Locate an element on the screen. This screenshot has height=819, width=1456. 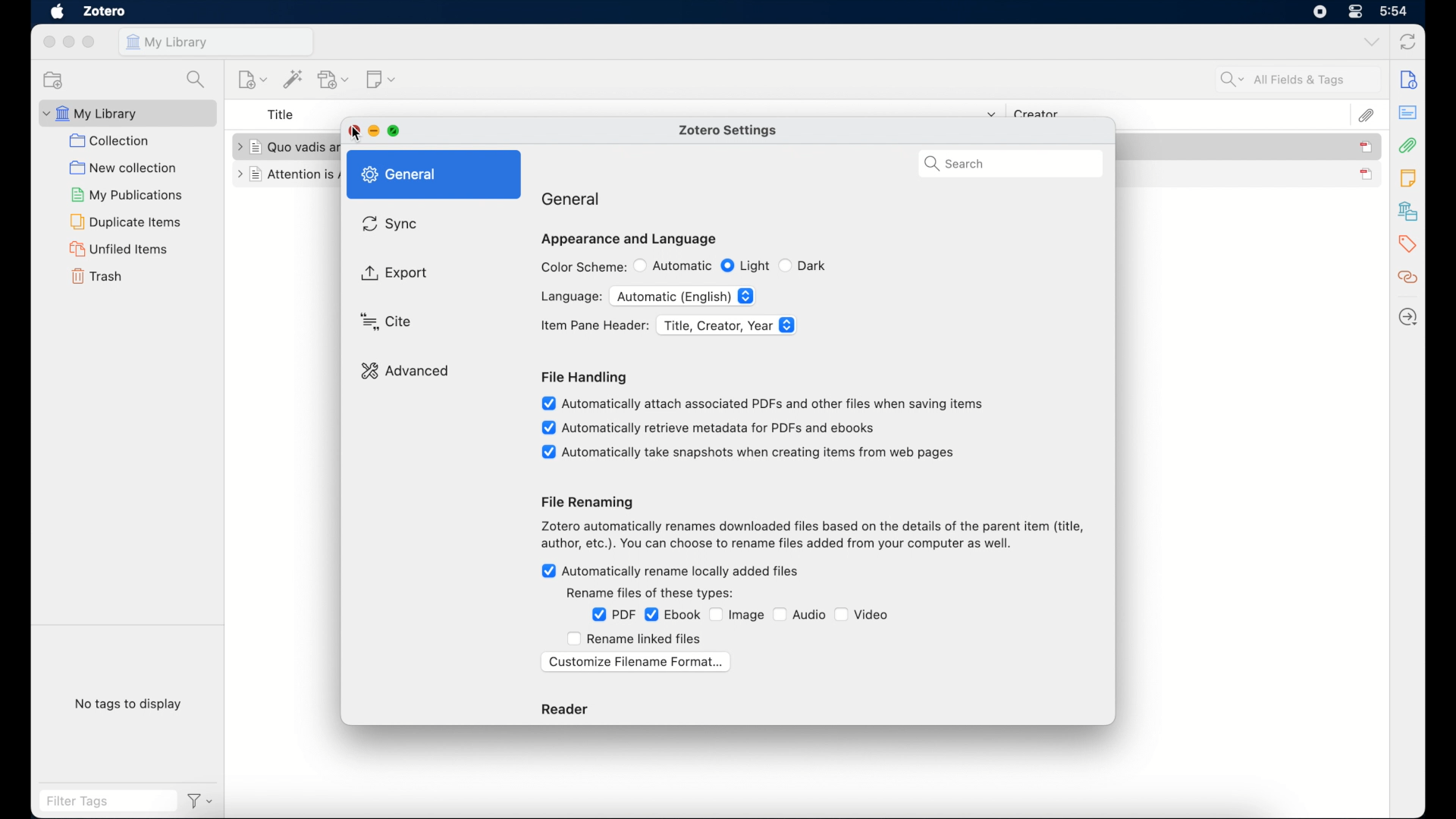
search is located at coordinates (196, 80).